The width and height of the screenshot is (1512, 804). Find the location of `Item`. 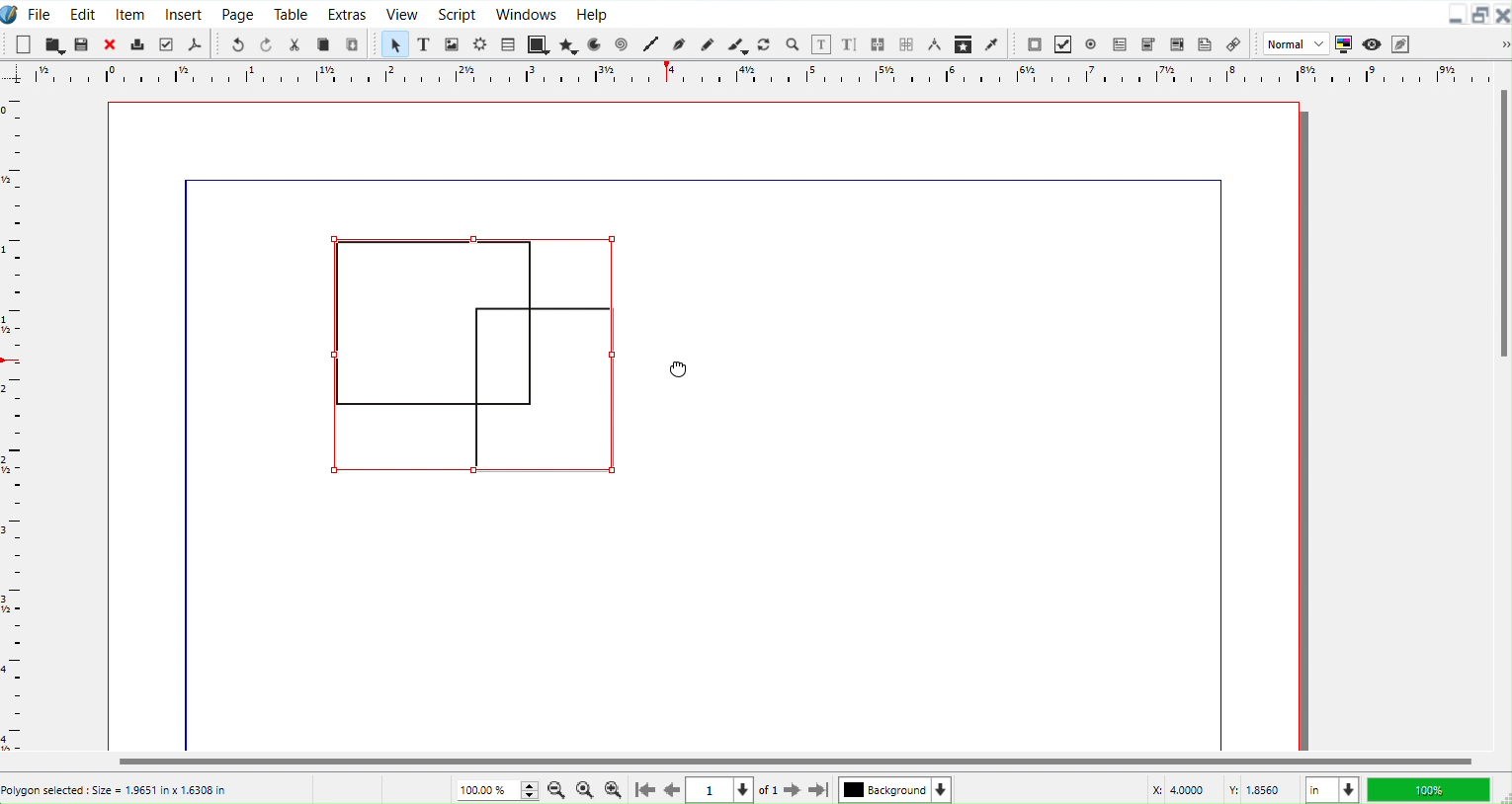

Item is located at coordinates (131, 13).